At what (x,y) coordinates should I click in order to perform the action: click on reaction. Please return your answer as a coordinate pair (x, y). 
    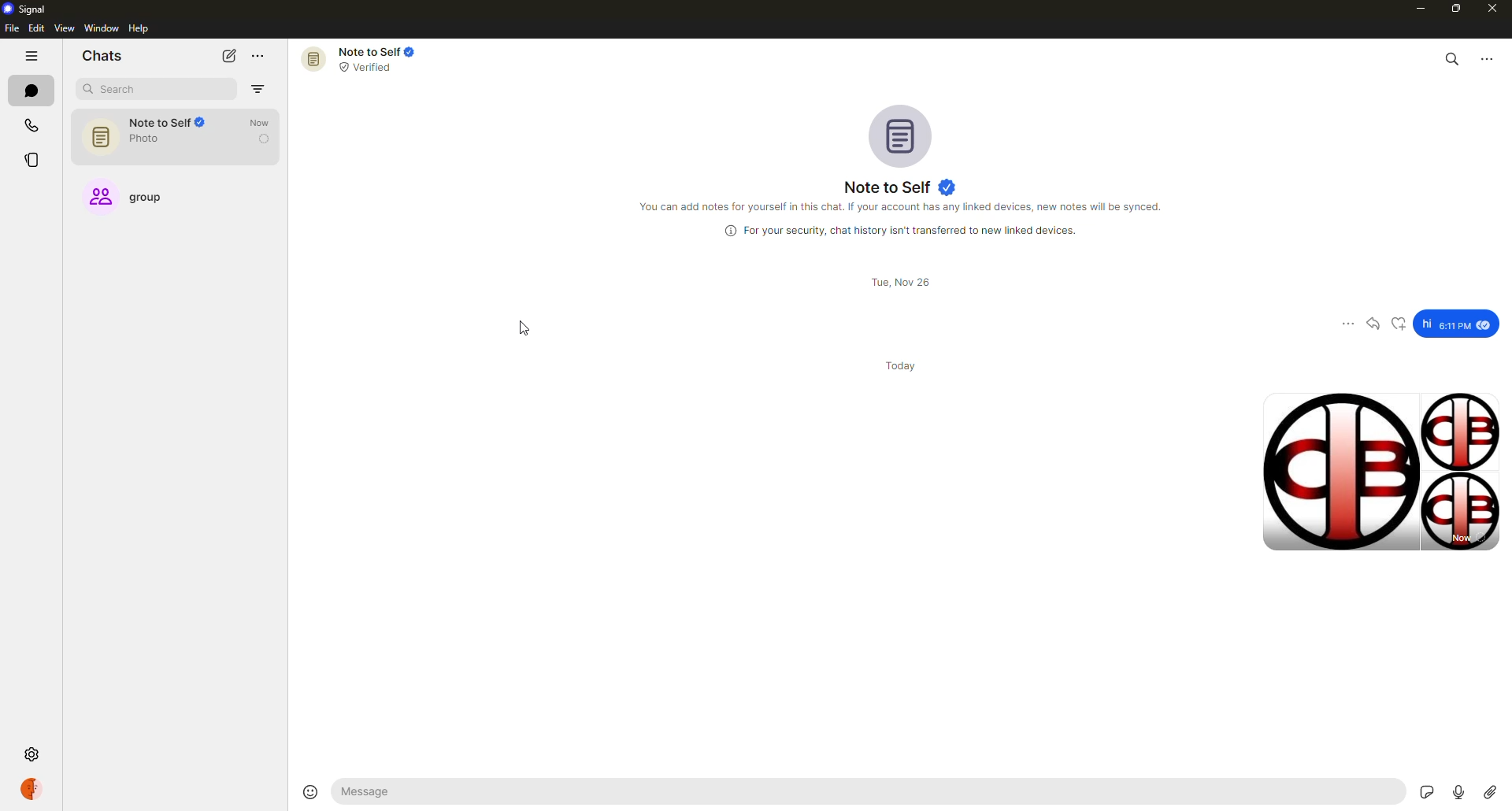
    Looking at the image, I should click on (1401, 324).